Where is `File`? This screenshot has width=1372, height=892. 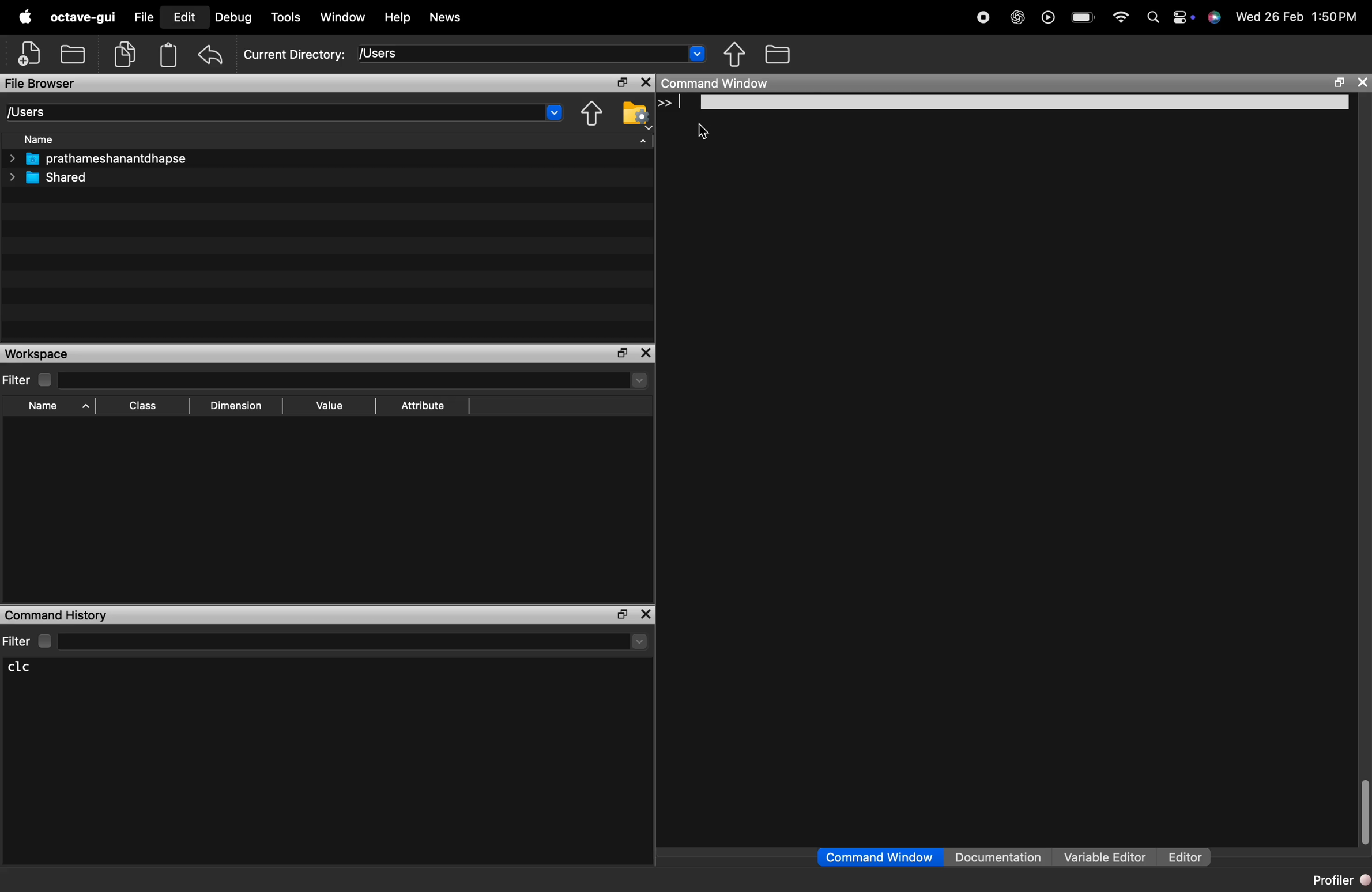
File is located at coordinates (144, 17).